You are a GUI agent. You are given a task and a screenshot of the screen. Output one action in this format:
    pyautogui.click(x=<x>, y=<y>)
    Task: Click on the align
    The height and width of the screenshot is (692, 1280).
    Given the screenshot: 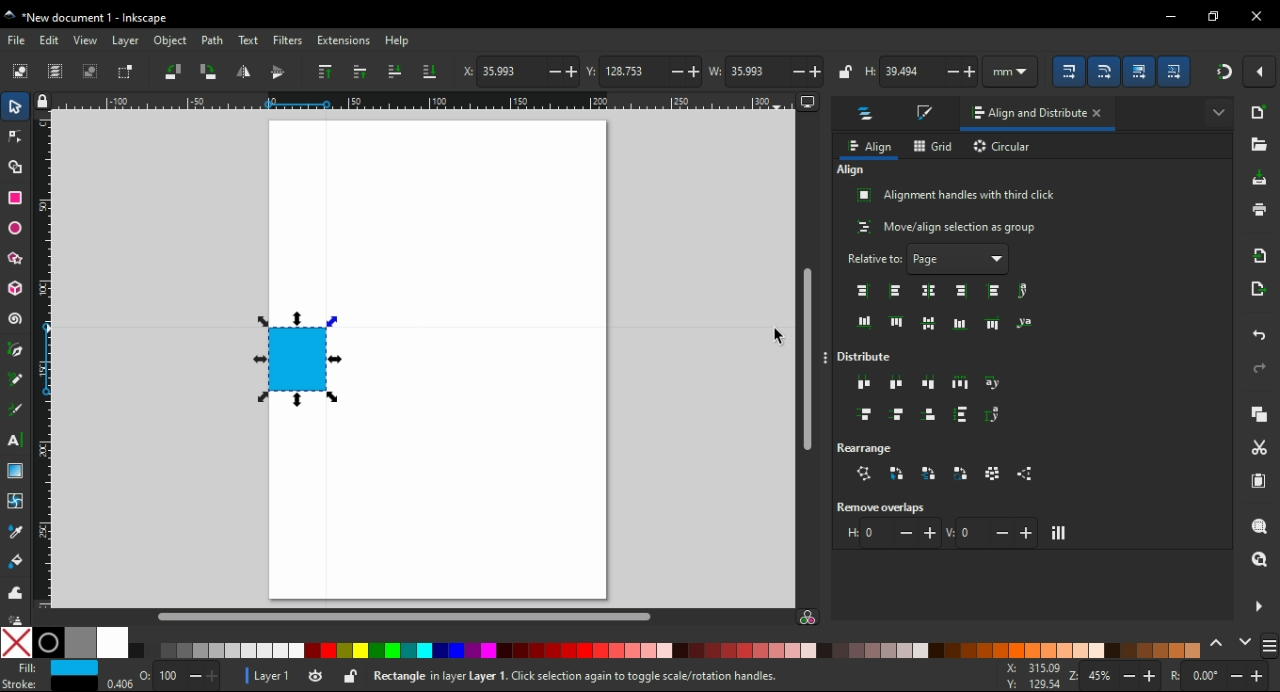 What is the action you would take?
    pyautogui.click(x=871, y=146)
    